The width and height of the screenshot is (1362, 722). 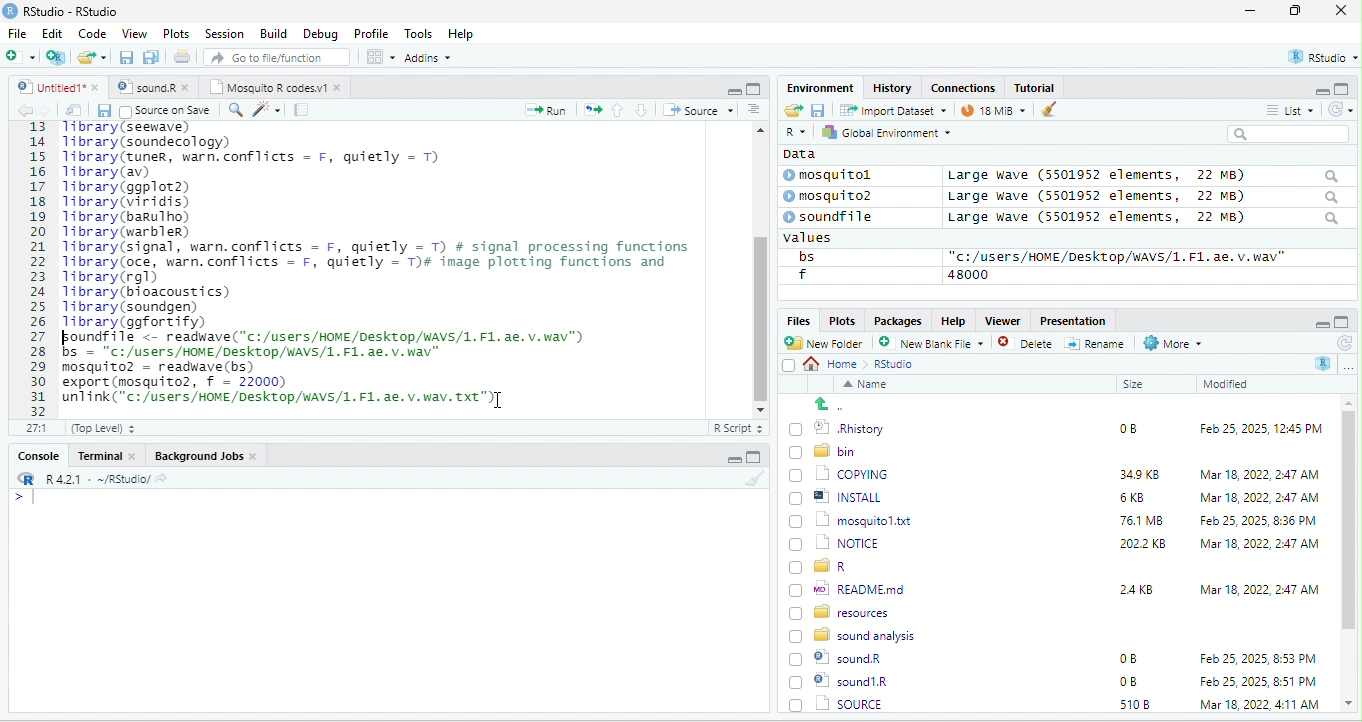 What do you see at coordinates (838, 426) in the screenshot?
I see `© Rhistory` at bounding box center [838, 426].